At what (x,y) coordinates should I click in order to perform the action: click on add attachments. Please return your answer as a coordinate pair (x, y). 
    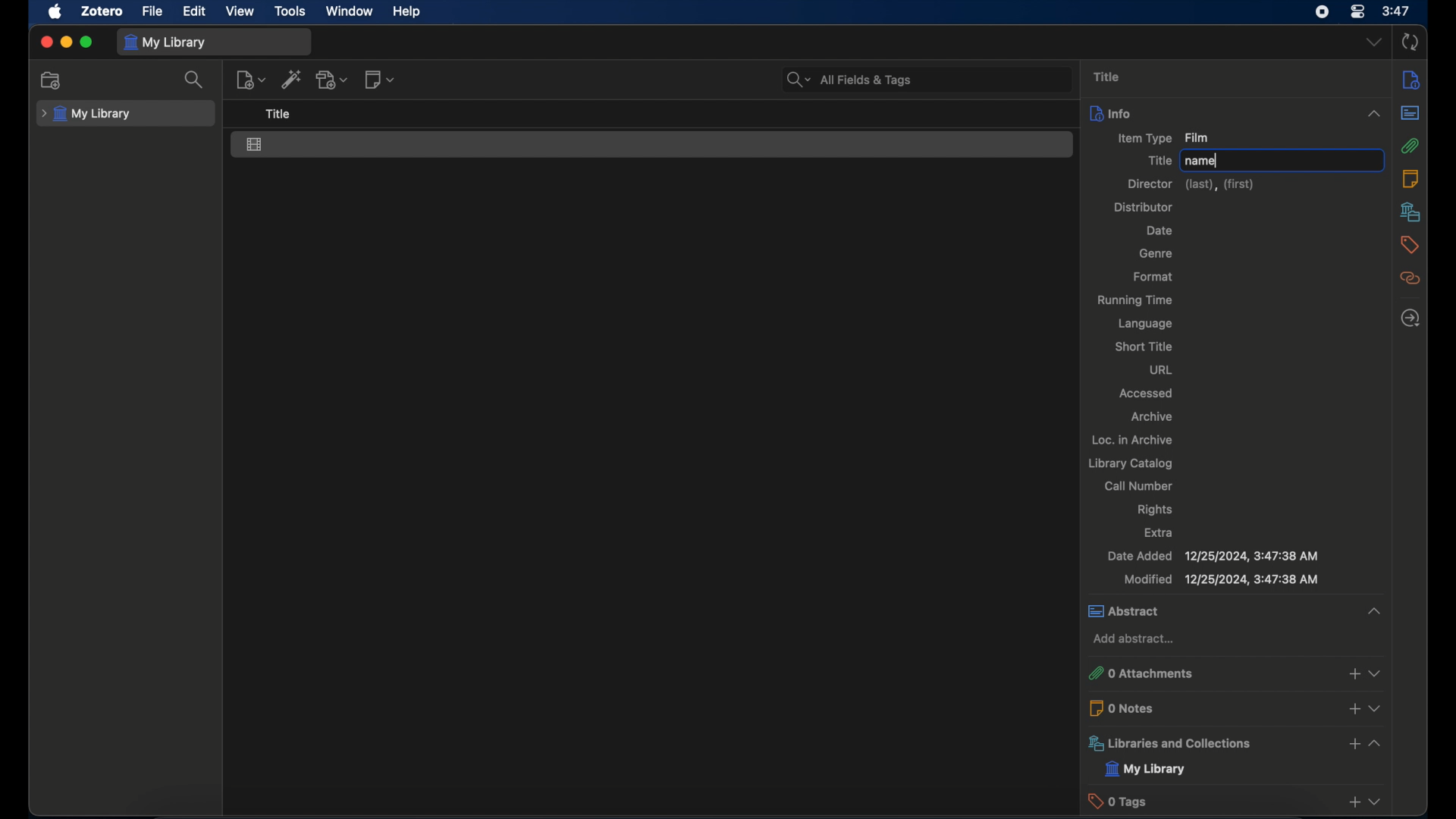
    Looking at the image, I should click on (1353, 674).